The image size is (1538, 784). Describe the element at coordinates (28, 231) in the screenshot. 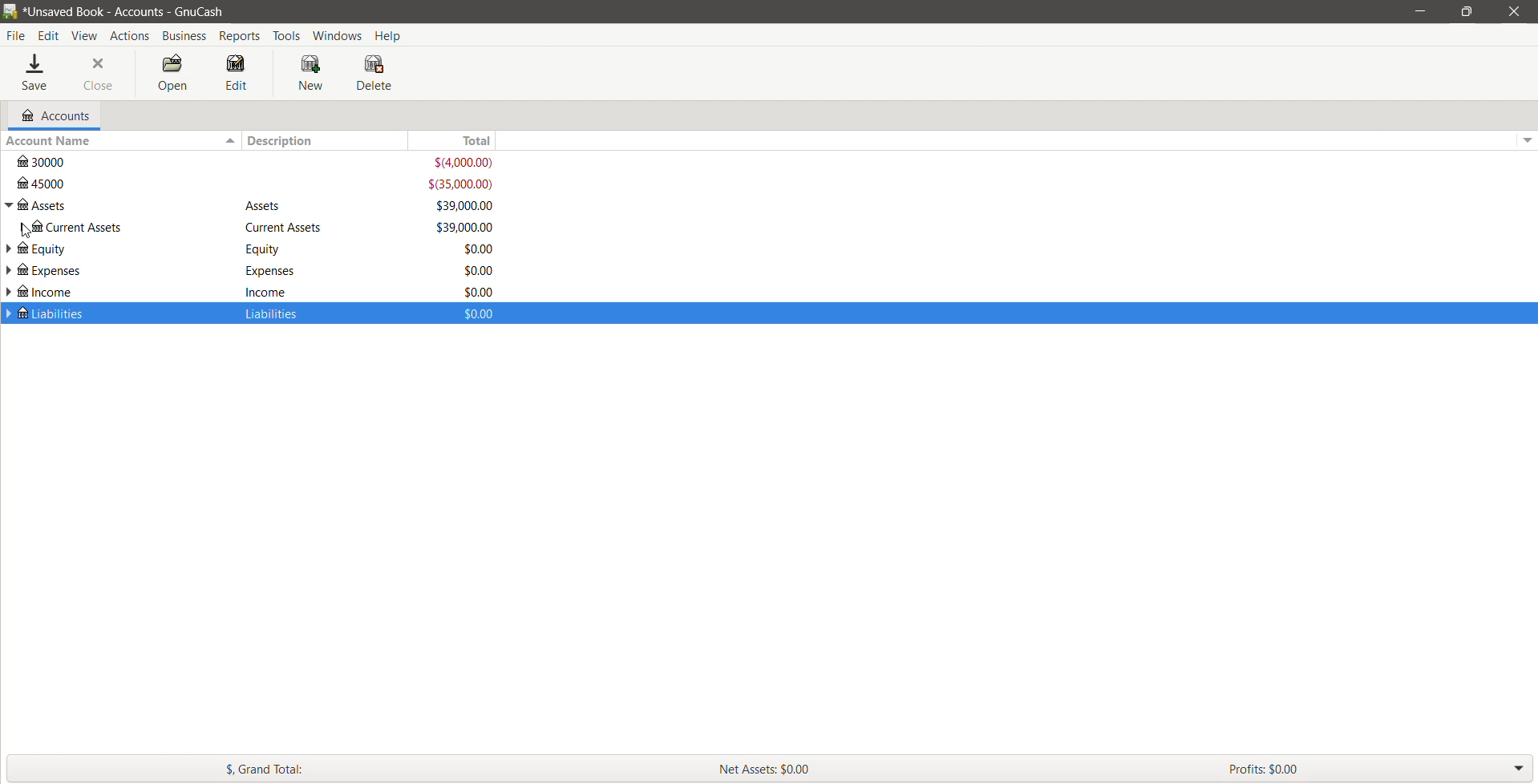

I see `cursor` at that location.